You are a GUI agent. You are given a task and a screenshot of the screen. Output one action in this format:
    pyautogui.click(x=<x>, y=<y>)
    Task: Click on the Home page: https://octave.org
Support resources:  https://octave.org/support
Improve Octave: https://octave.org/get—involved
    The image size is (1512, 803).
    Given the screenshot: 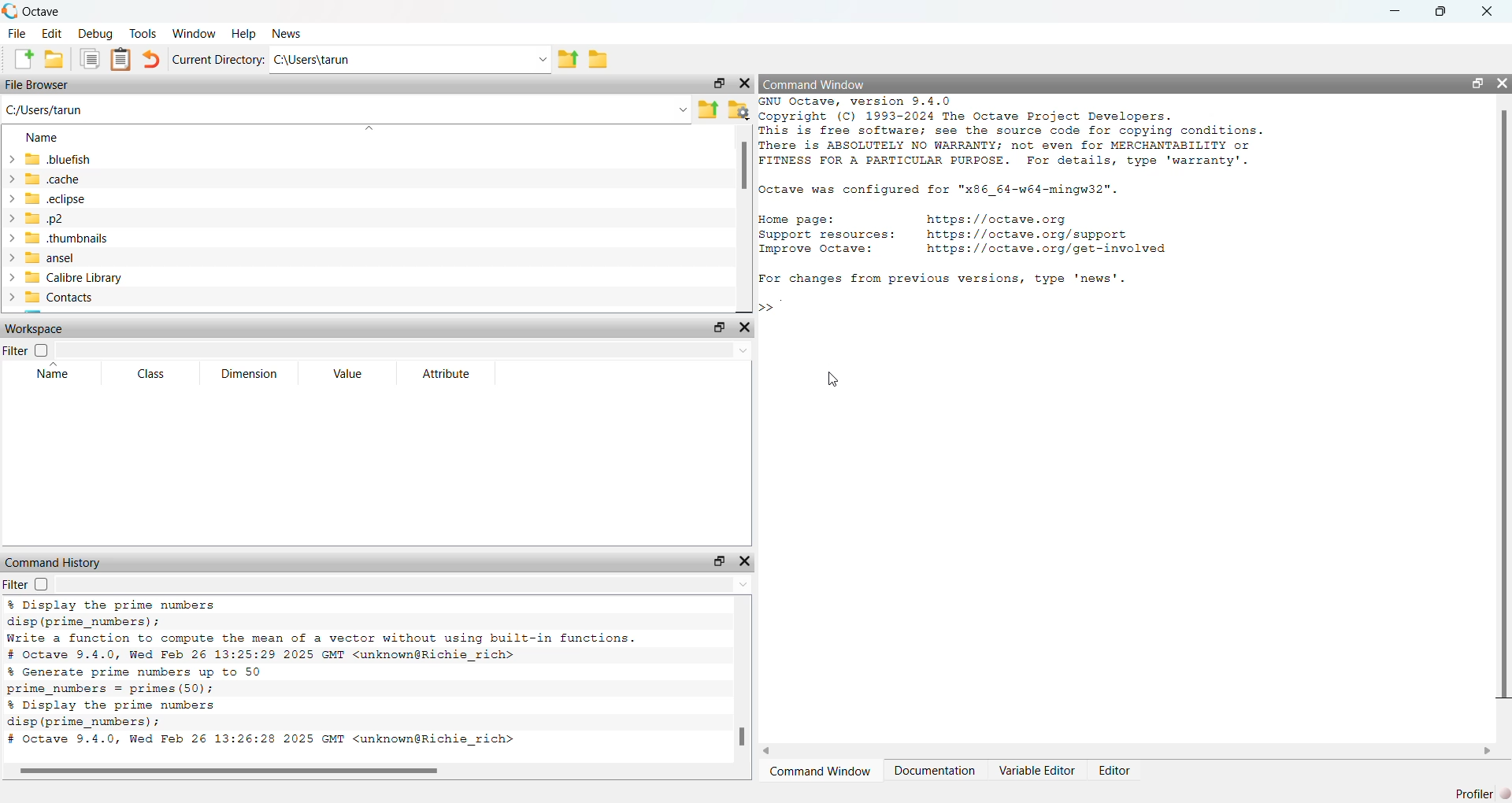 What is the action you would take?
    pyautogui.click(x=966, y=238)
    